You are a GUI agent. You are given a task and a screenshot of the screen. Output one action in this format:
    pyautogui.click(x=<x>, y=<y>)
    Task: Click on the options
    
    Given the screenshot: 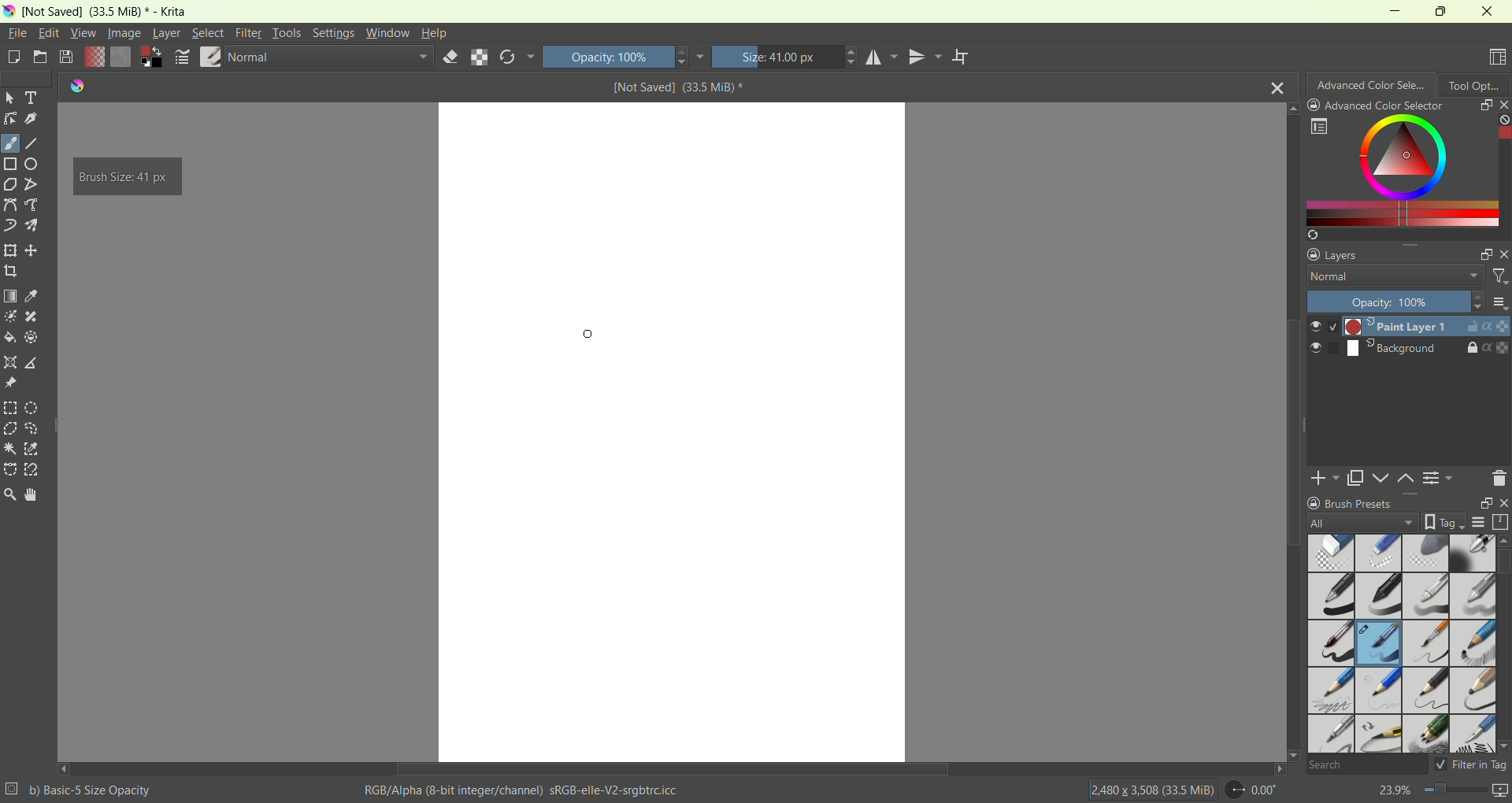 What is the action you would take?
    pyautogui.click(x=1499, y=302)
    